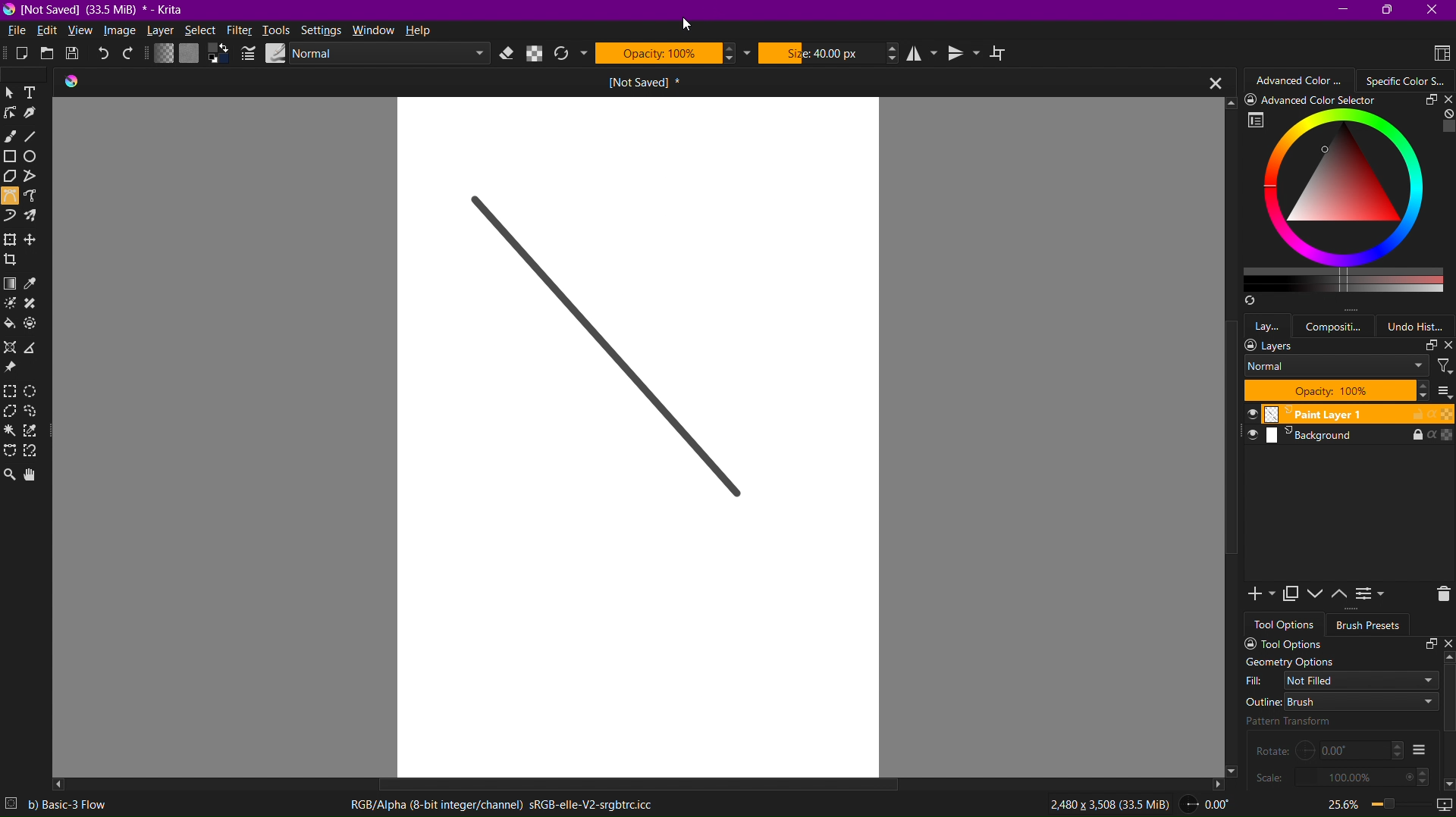  I want to click on Brush Tool, so click(11, 138).